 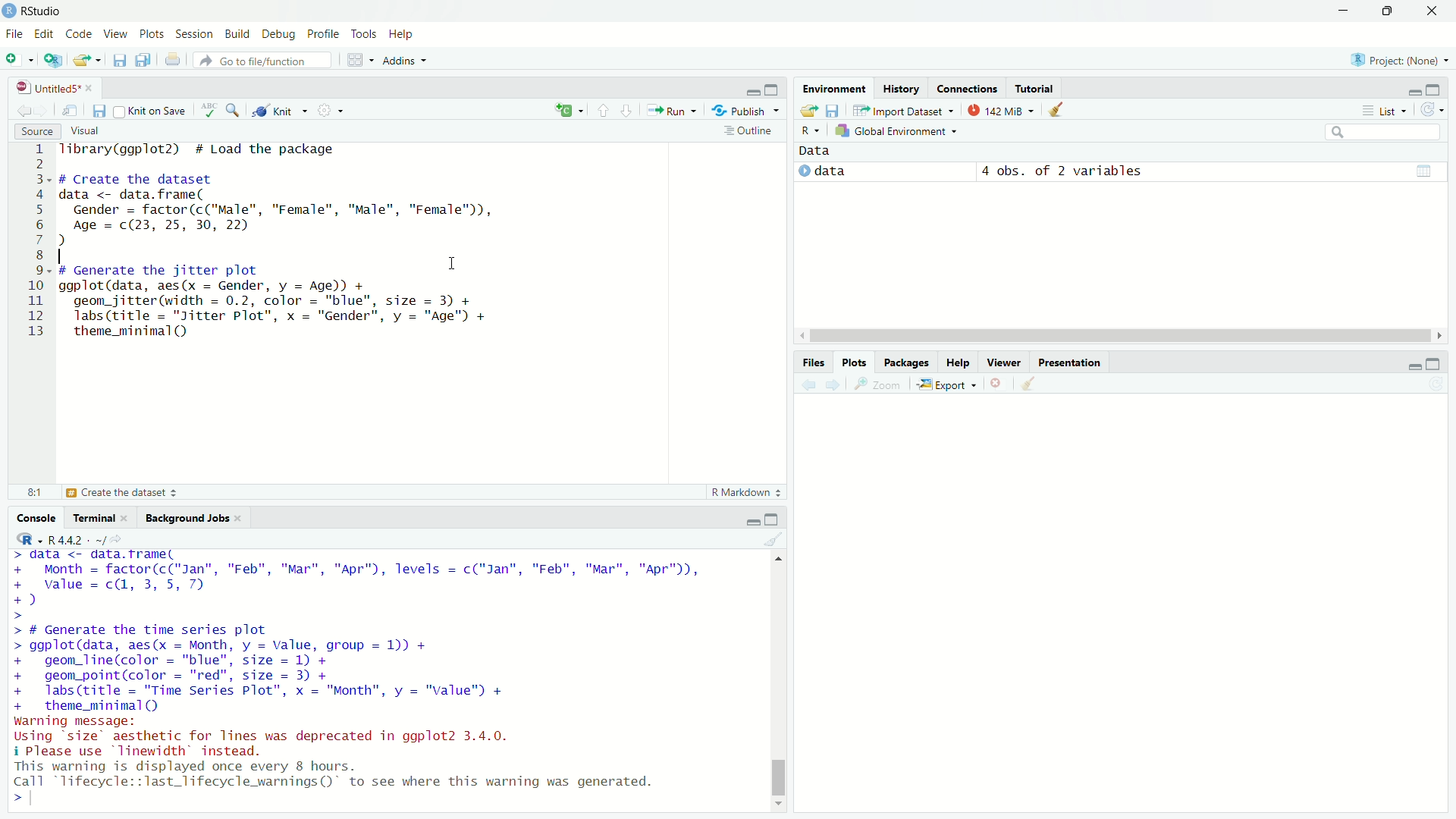 What do you see at coordinates (14, 34) in the screenshot?
I see `file` at bounding box center [14, 34].